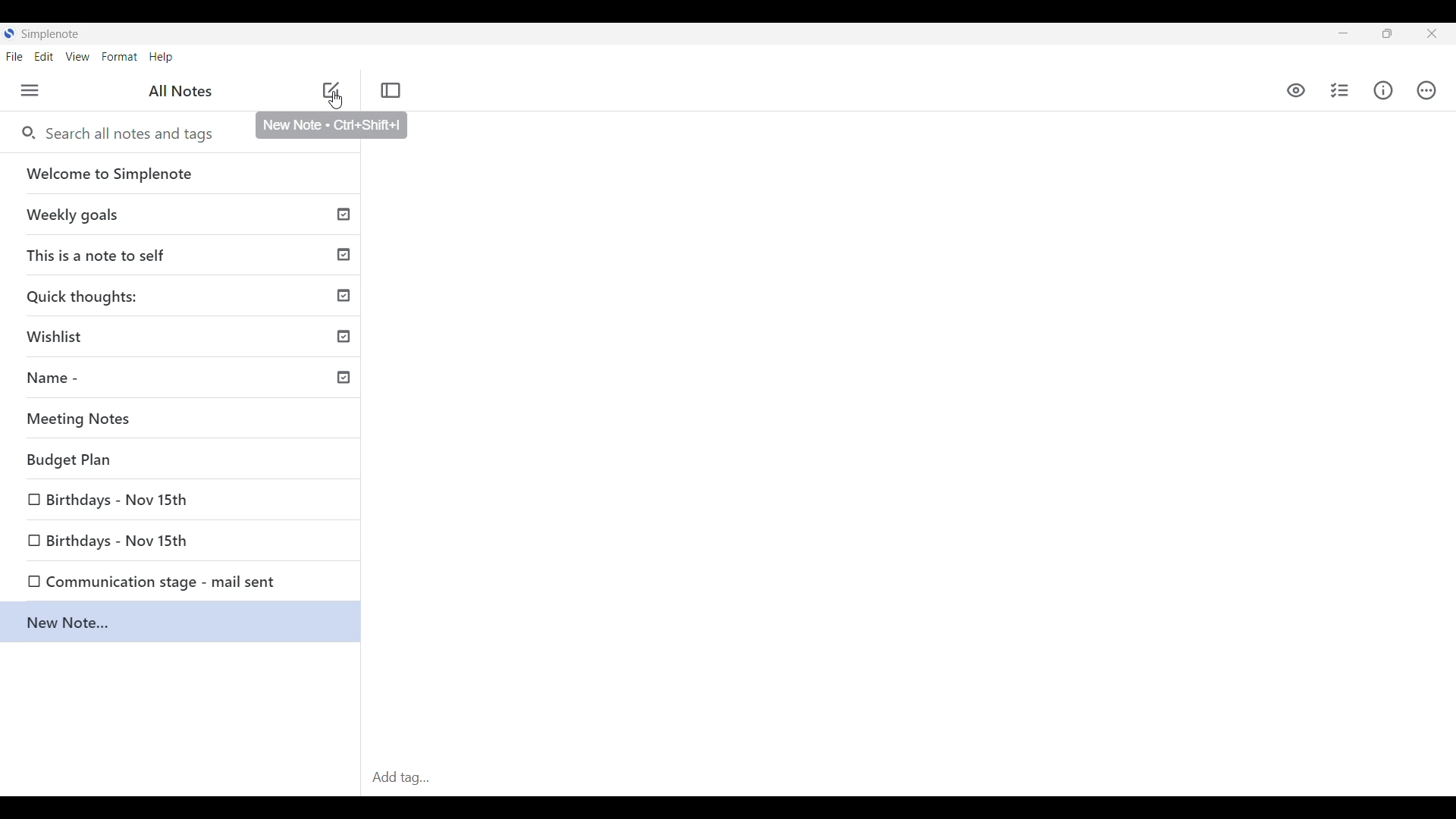  Describe the element at coordinates (1384, 90) in the screenshot. I see `Info` at that location.